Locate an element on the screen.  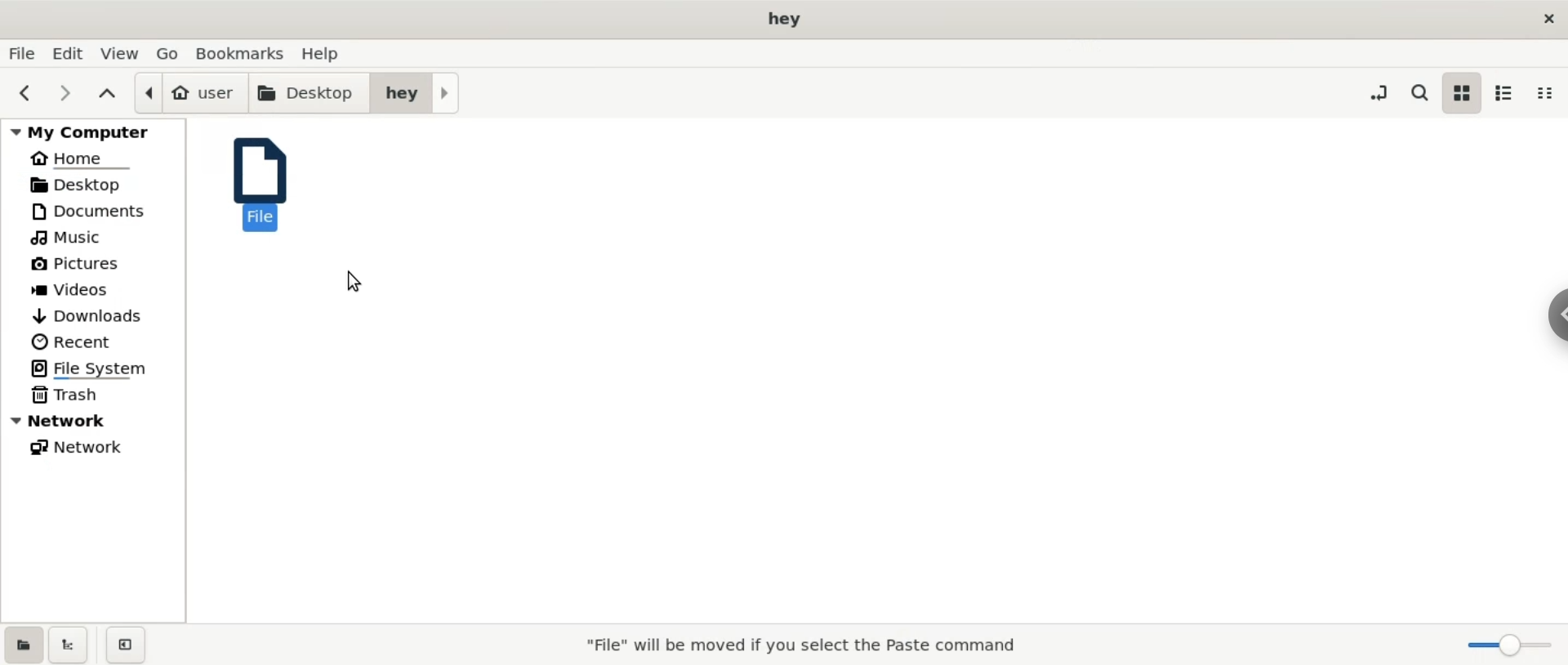
next is located at coordinates (65, 94).